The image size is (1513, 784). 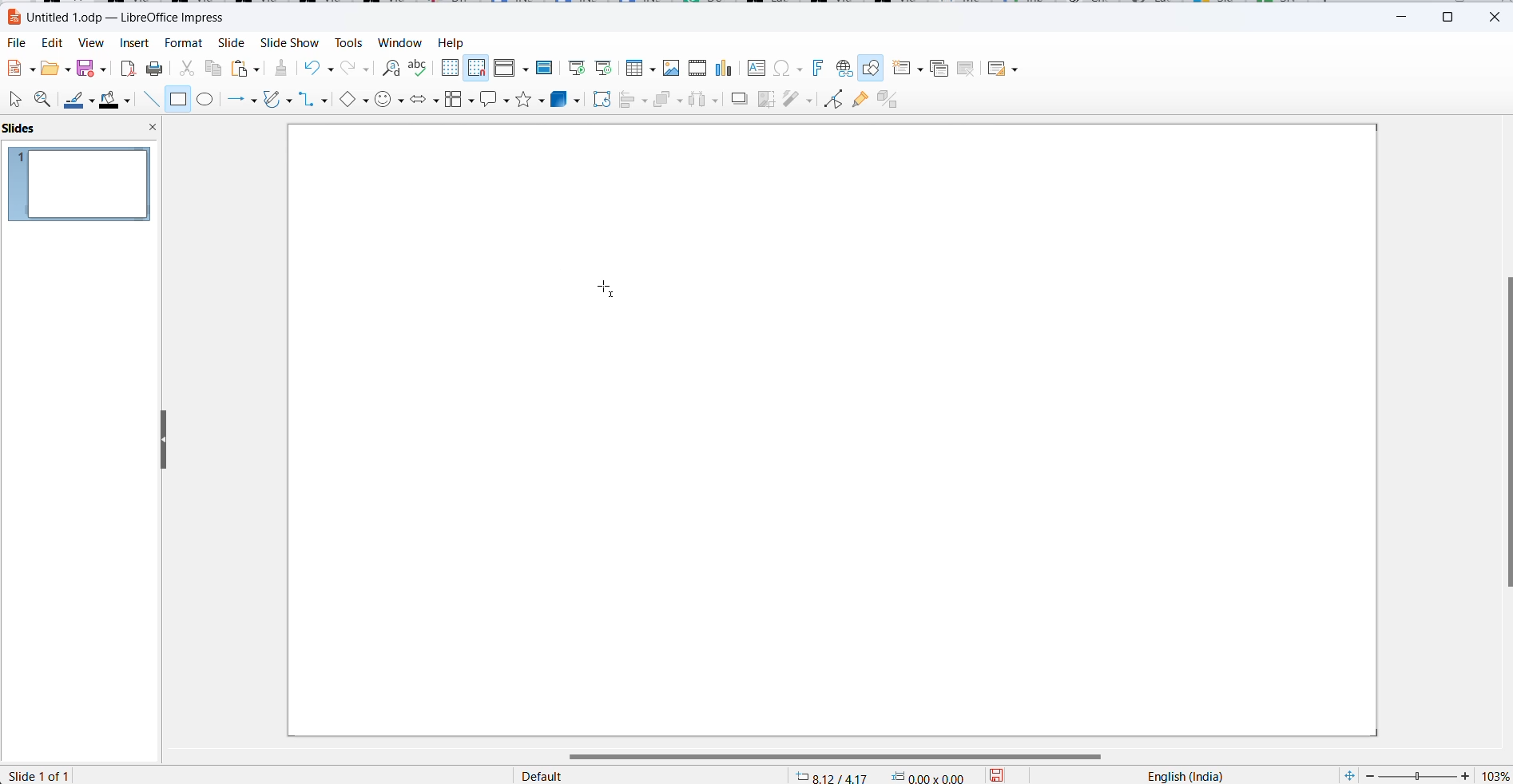 What do you see at coordinates (1181, 774) in the screenshot?
I see `text language` at bounding box center [1181, 774].